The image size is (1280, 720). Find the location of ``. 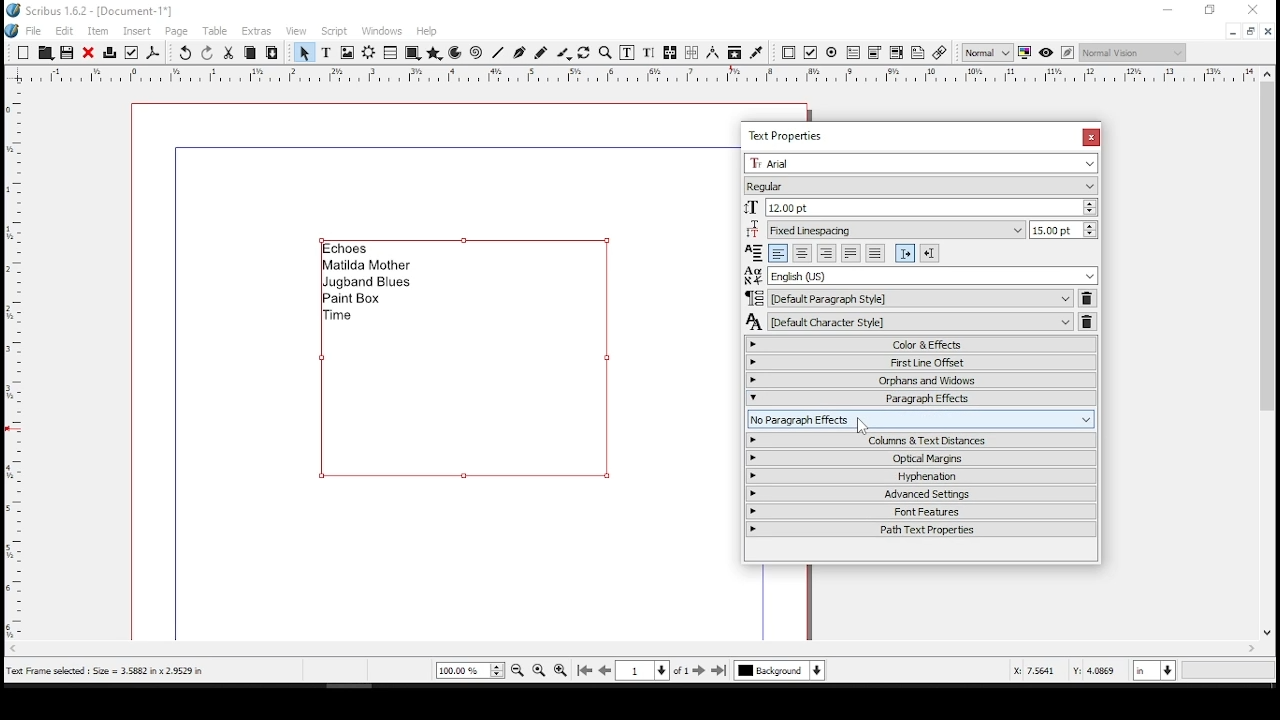

 is located at coordinates (755, 252).